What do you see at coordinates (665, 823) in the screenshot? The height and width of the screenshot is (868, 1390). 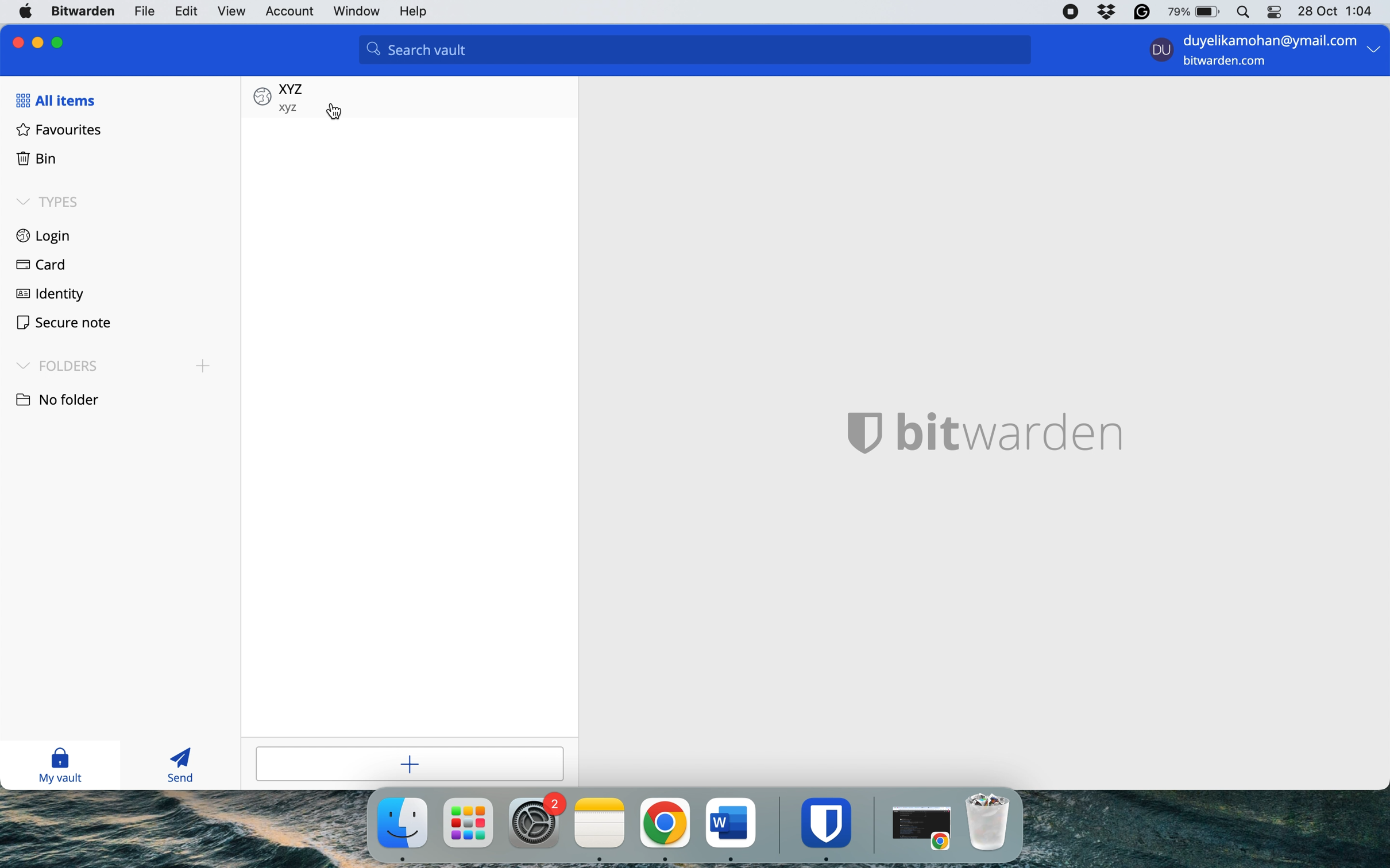 I see `chrome` at bounding box center [665, 823].